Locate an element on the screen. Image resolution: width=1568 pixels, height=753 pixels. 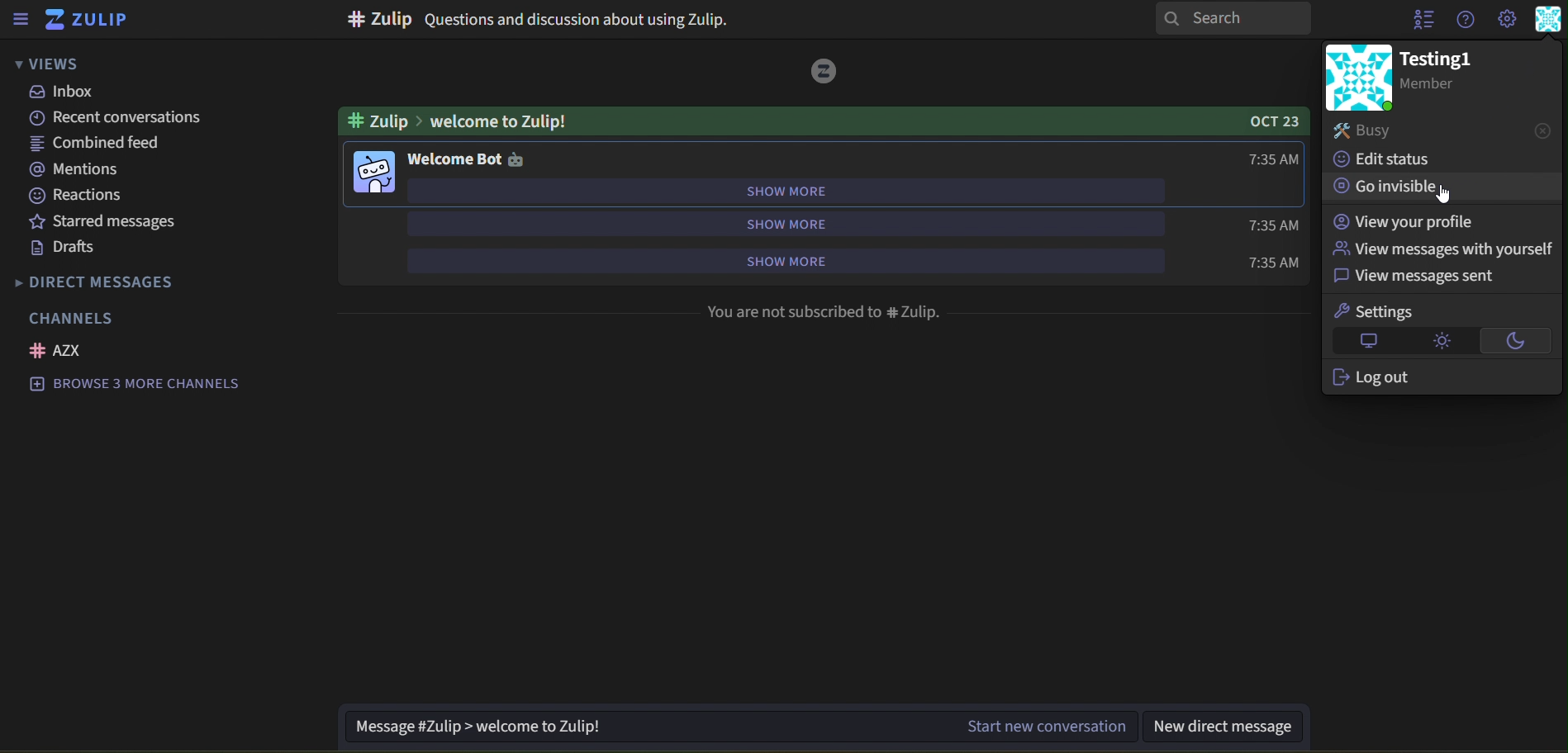
welcome to Zulip! is located at coordinates (456, 121).